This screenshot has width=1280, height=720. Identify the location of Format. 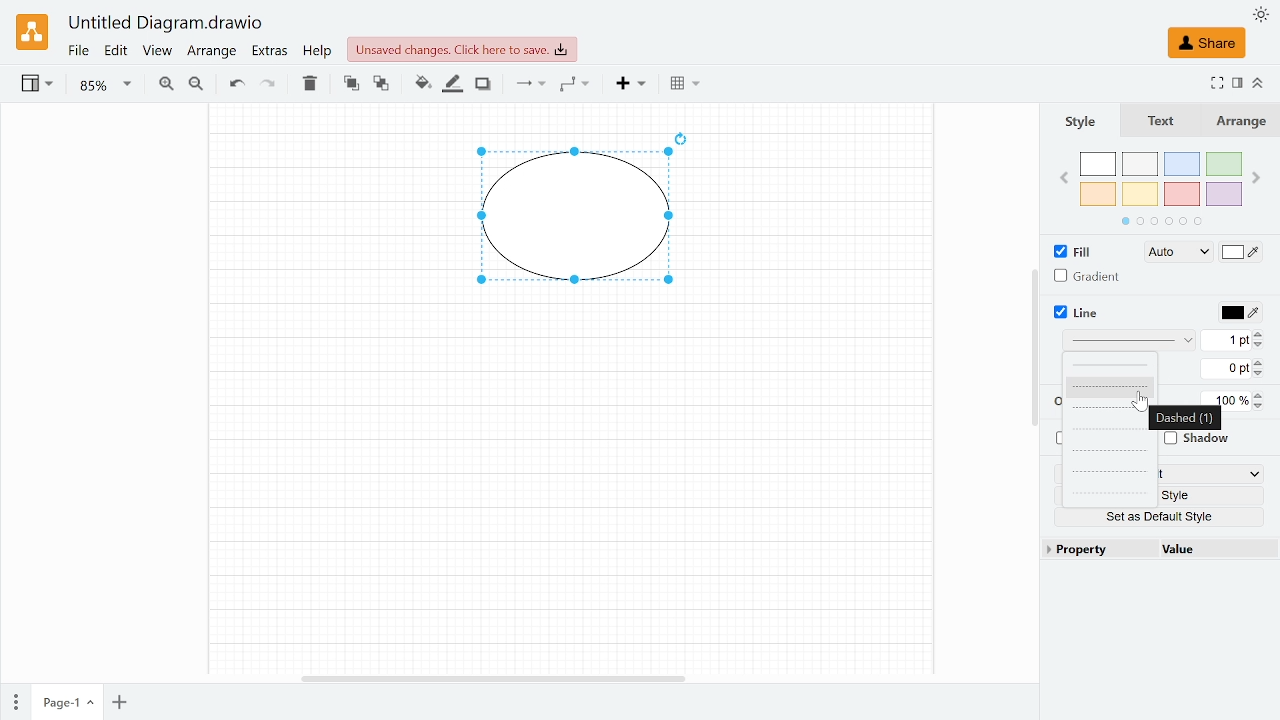
(1235, 83).